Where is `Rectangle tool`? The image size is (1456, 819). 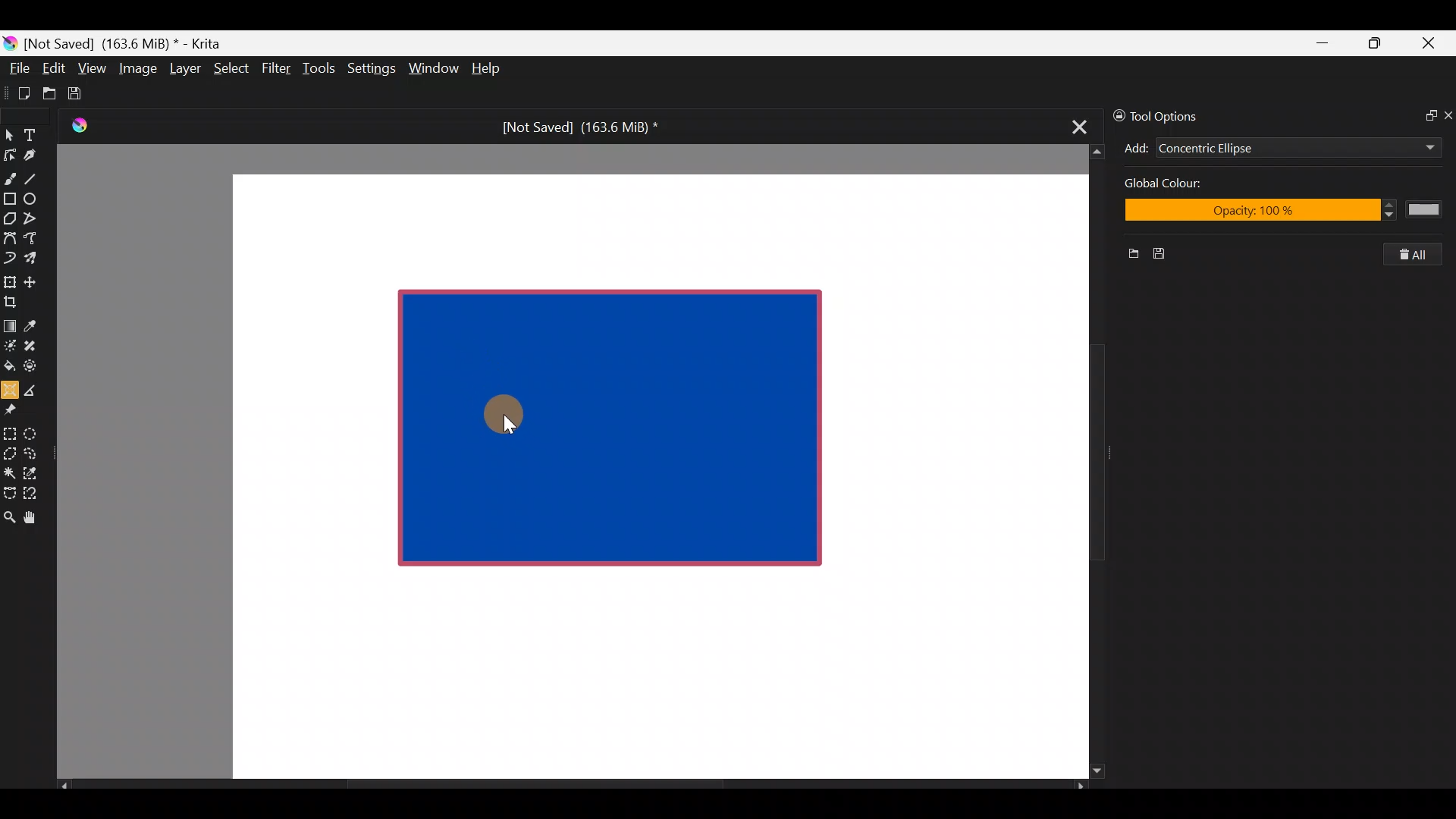
Rectangle tool is located at coordinates (10, 200).